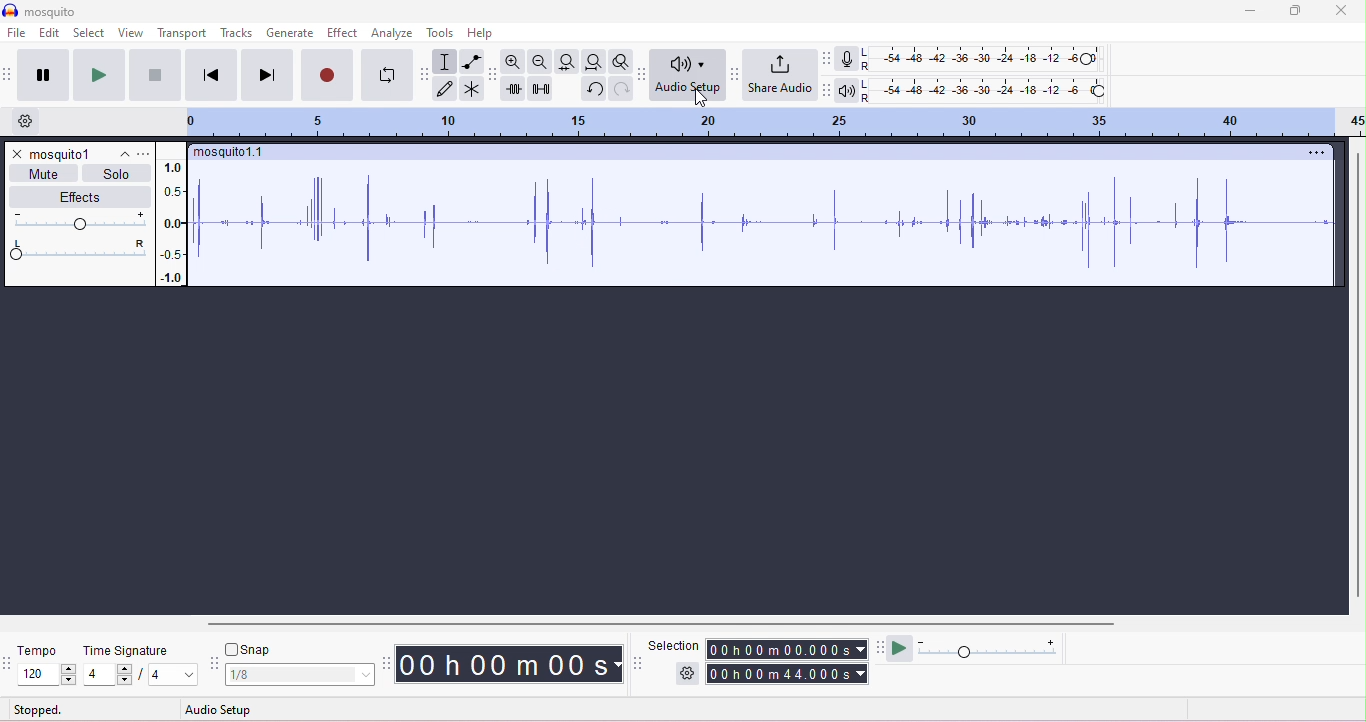 The image size is (1366, 722). I want to click on tempo tool bar, so click(9, 661).